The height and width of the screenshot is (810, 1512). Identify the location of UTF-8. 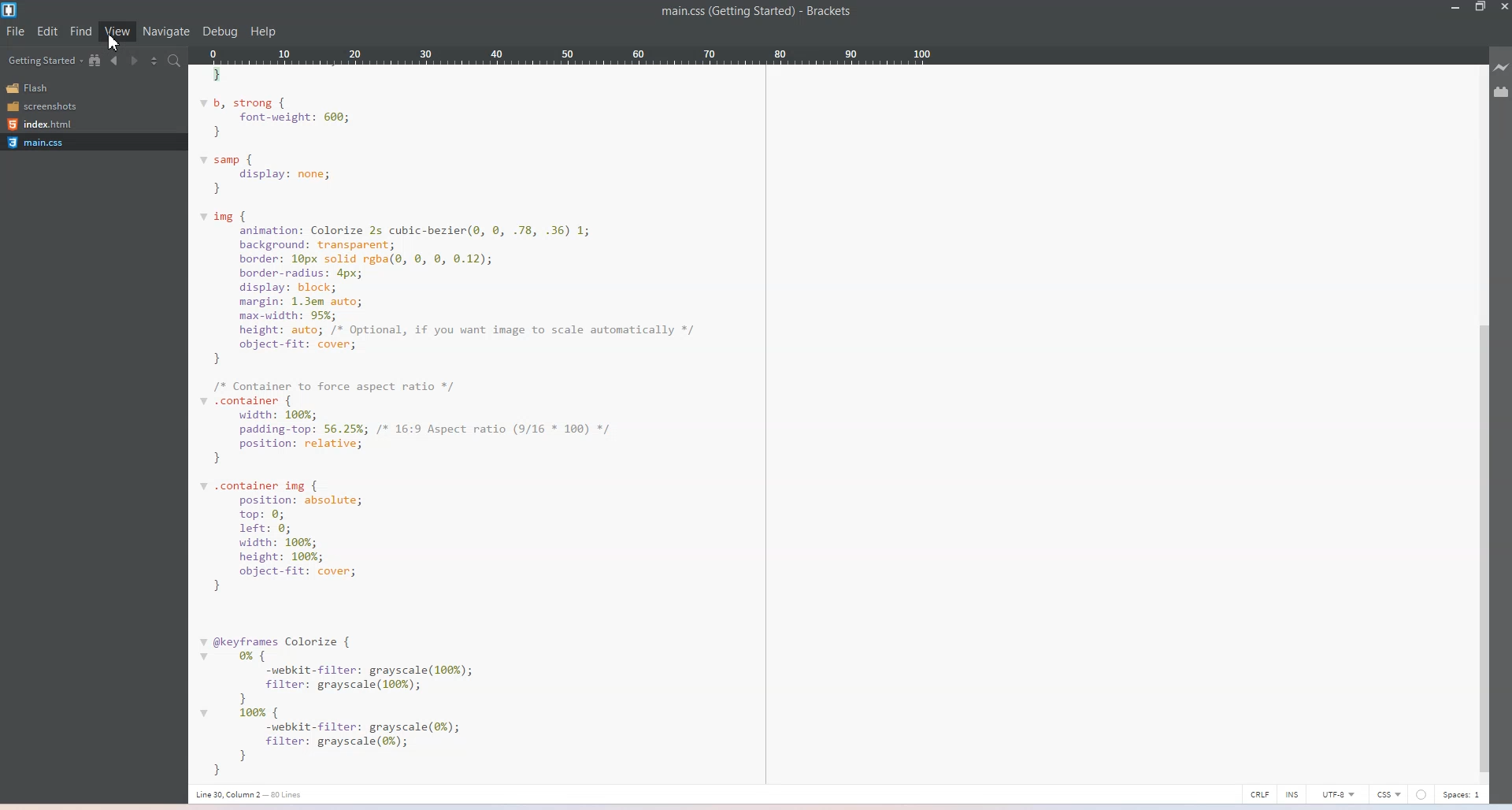
(1335, 794).